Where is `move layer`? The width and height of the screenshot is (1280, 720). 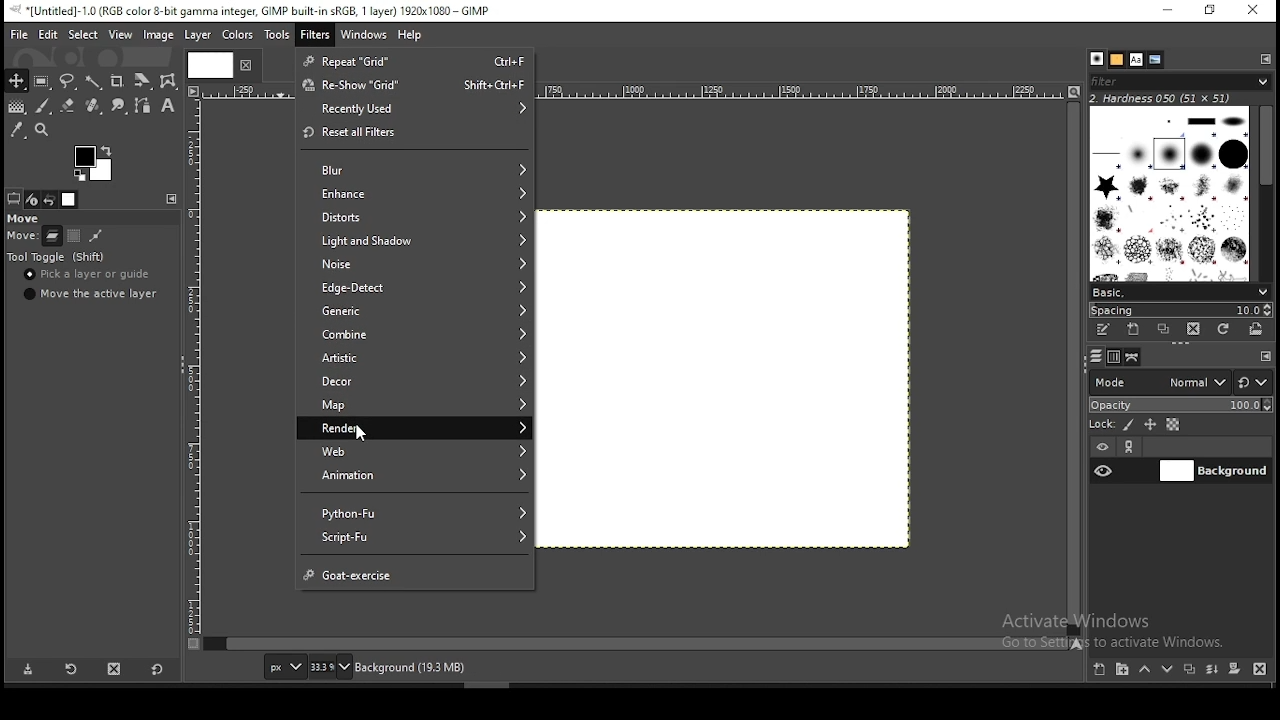 move layer is located at coordinates (52, 237).